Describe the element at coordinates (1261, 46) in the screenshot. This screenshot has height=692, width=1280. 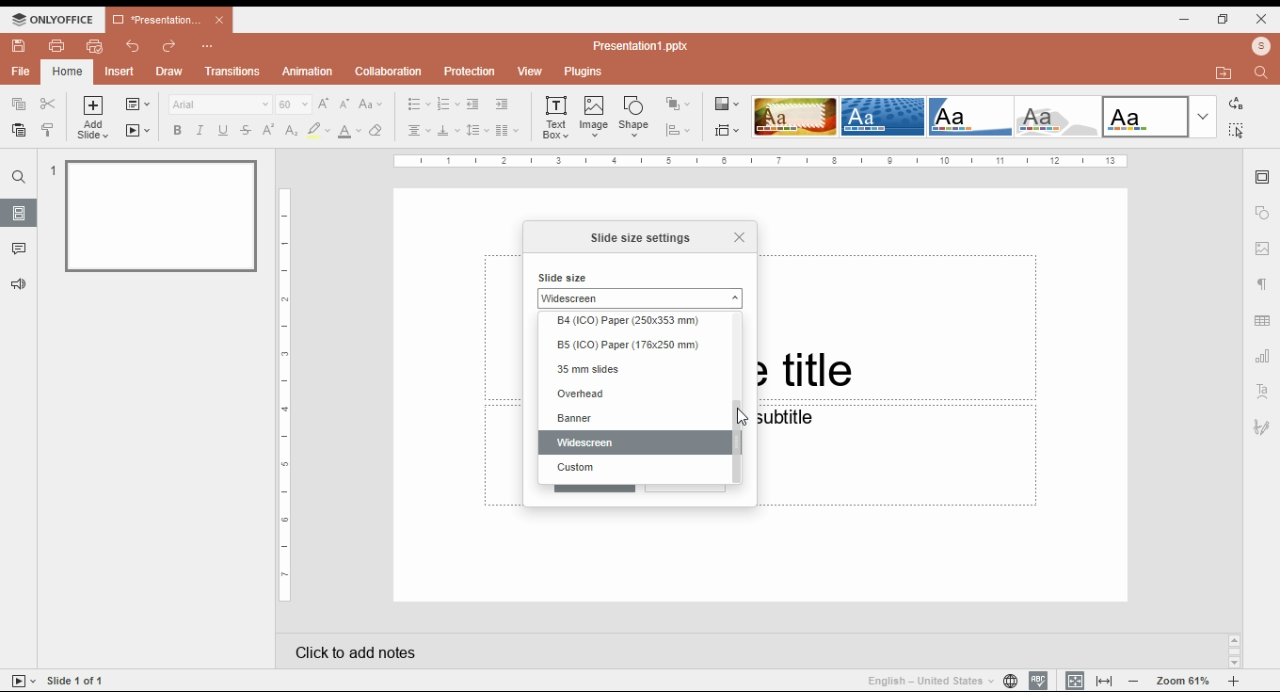
I see `profile` at that location.